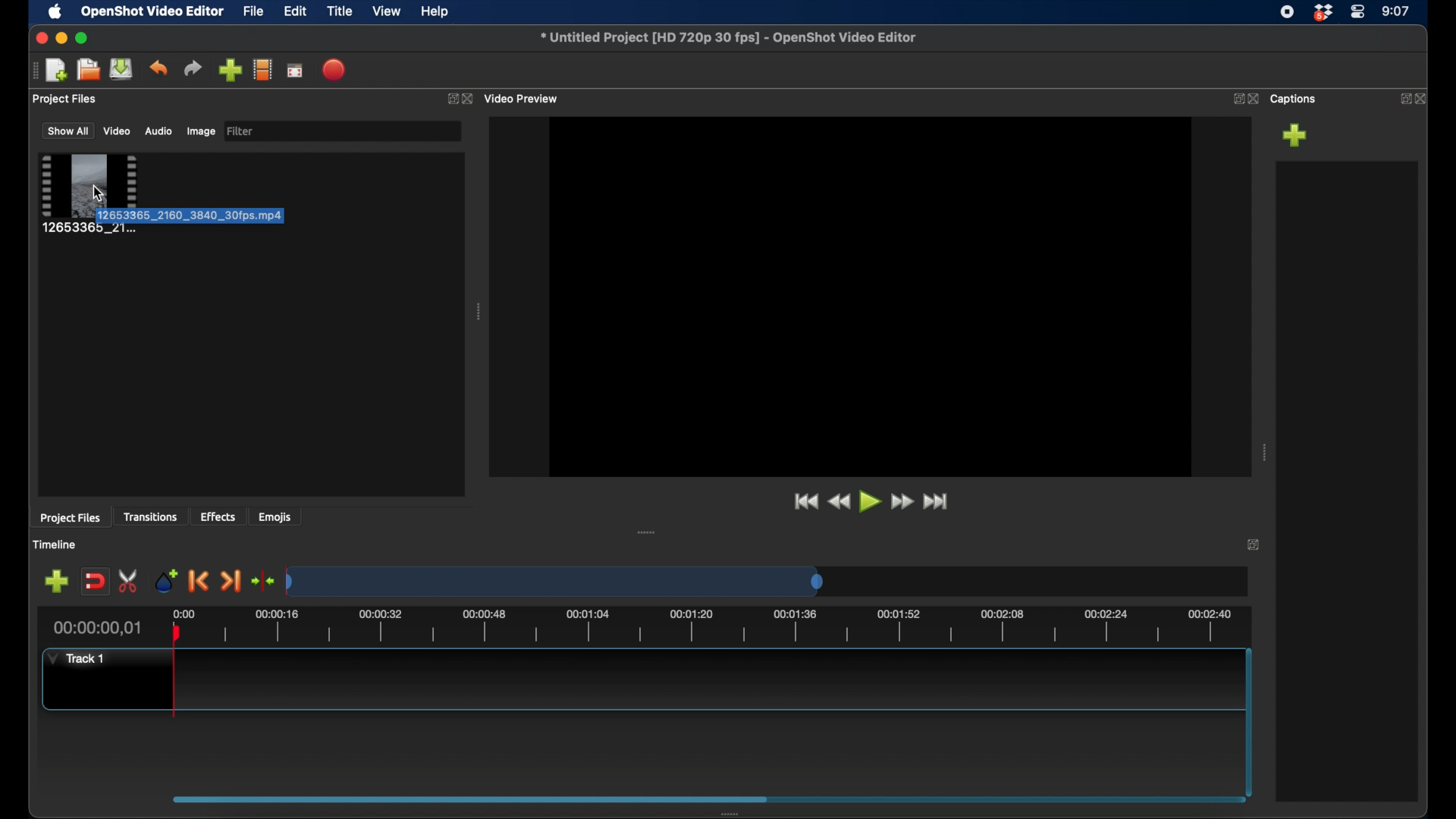  What do you see at coordinates (726, 627) in the screenshot?
I see `timeline` at bounding box center [726, 627].